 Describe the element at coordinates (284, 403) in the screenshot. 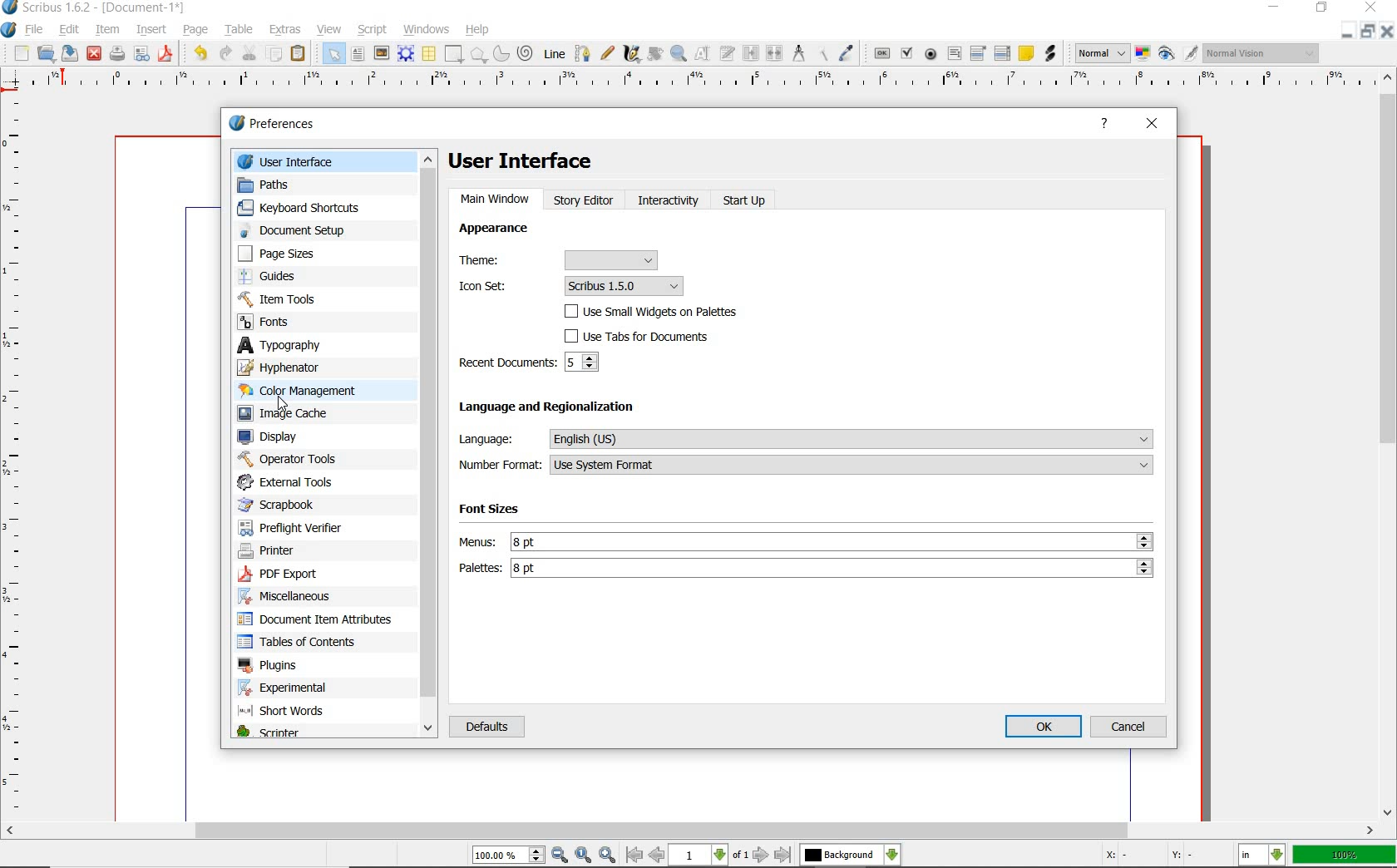

I see `cursor` at that location.